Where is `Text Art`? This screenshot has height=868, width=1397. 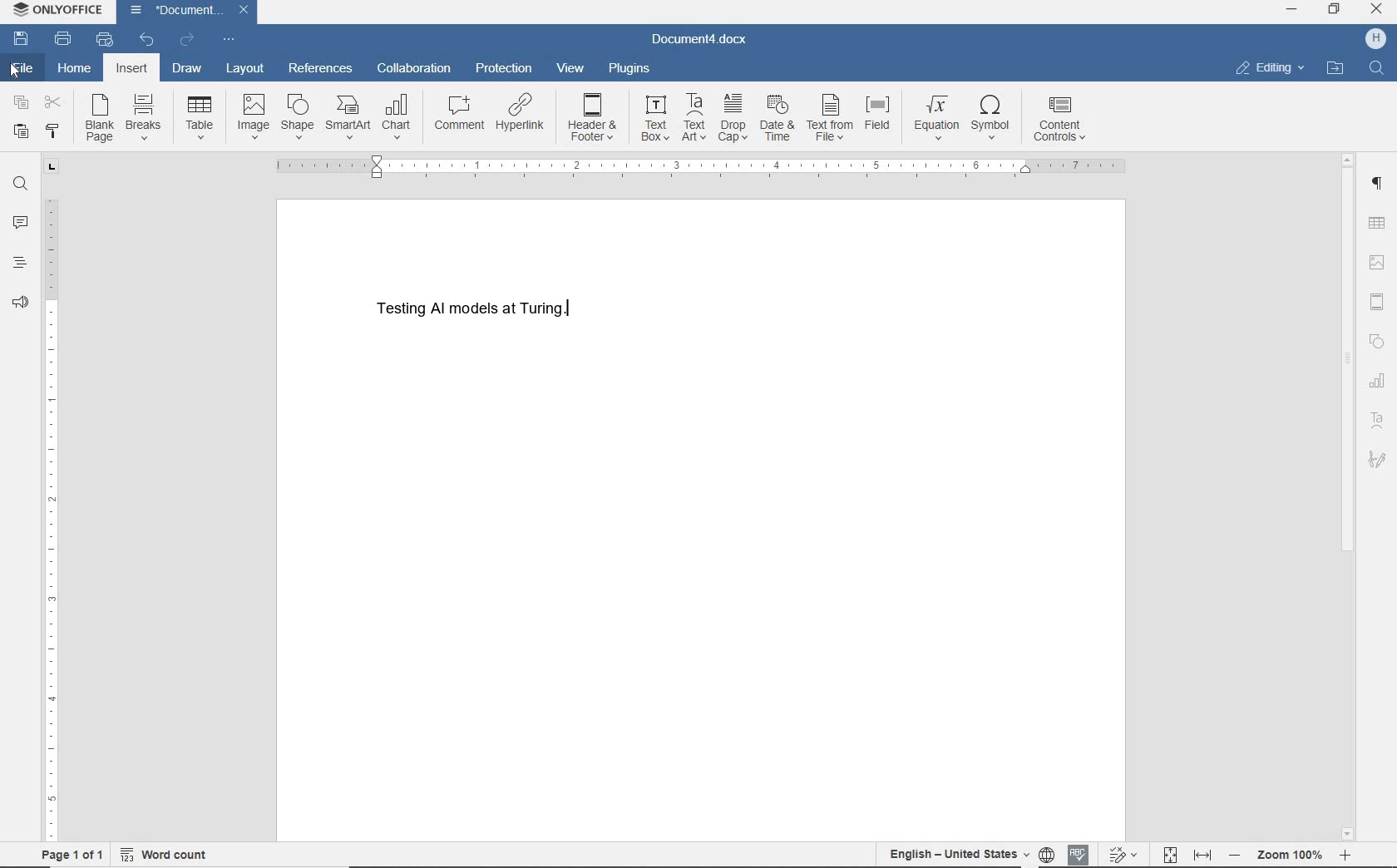 Text Art is located at coordinates (692, 116).